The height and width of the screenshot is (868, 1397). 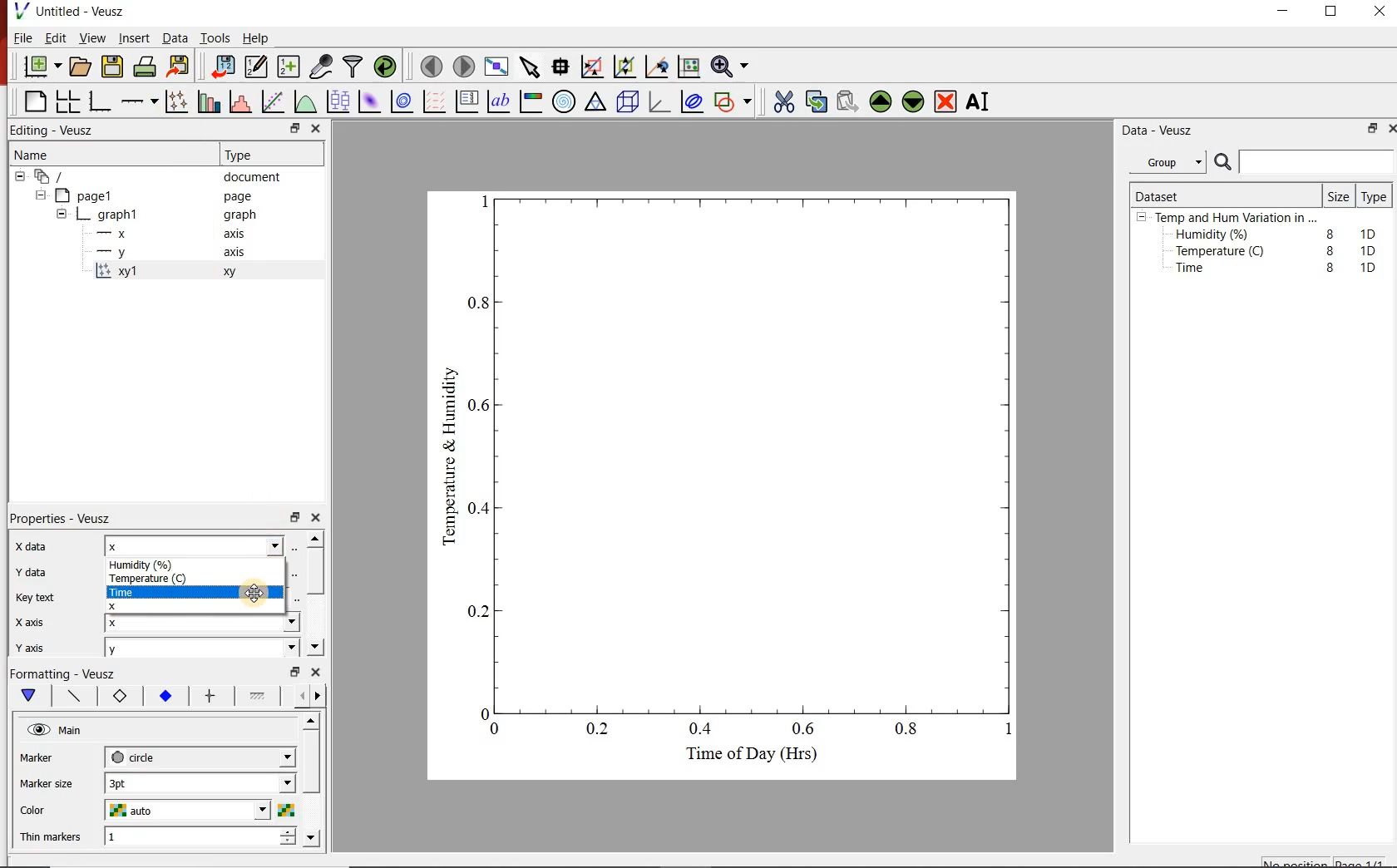 I want to click on plot a vector field, so click(x=435, y=101).